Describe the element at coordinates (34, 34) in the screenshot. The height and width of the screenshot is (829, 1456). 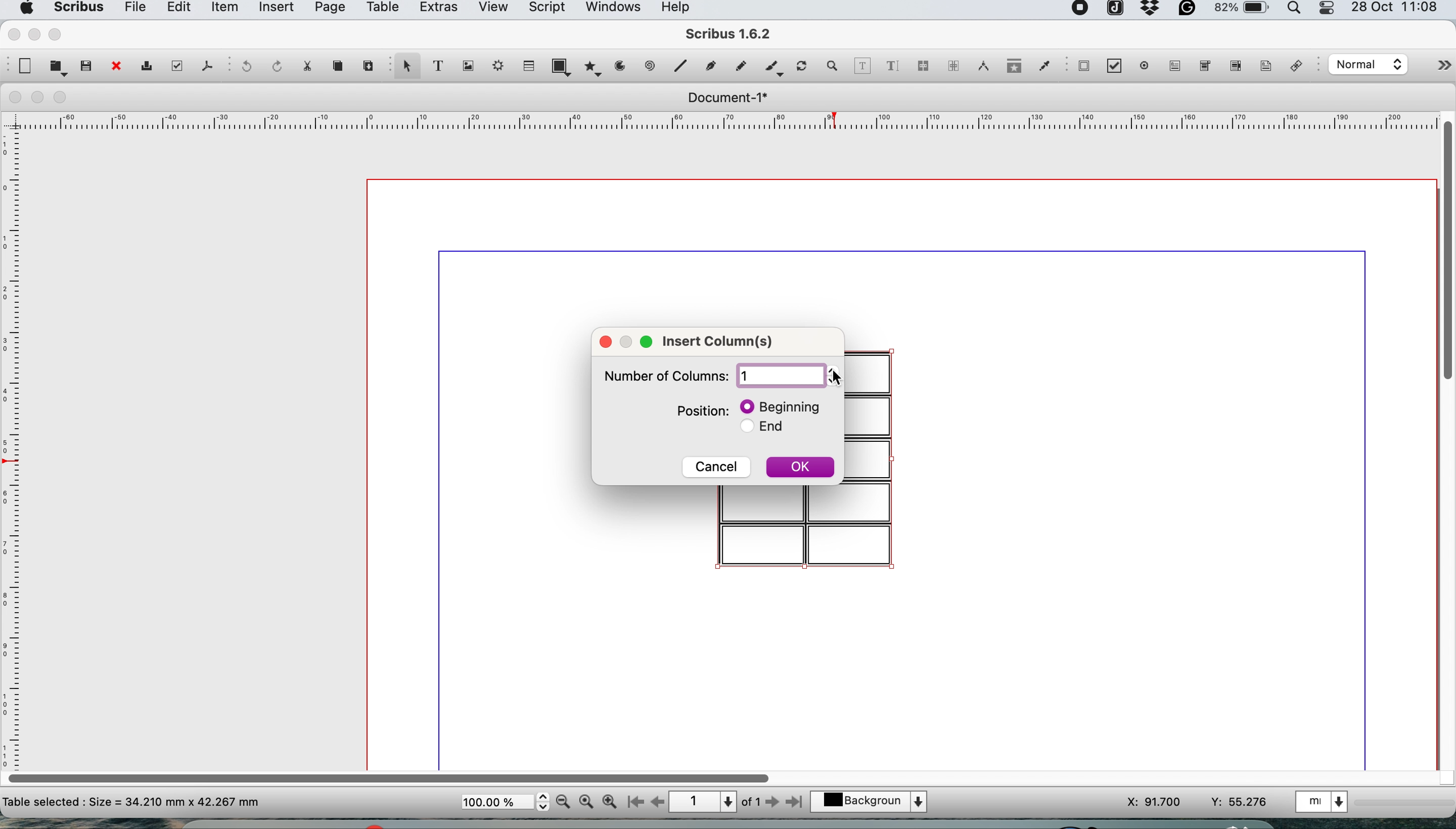
I see `minimise` at that location.